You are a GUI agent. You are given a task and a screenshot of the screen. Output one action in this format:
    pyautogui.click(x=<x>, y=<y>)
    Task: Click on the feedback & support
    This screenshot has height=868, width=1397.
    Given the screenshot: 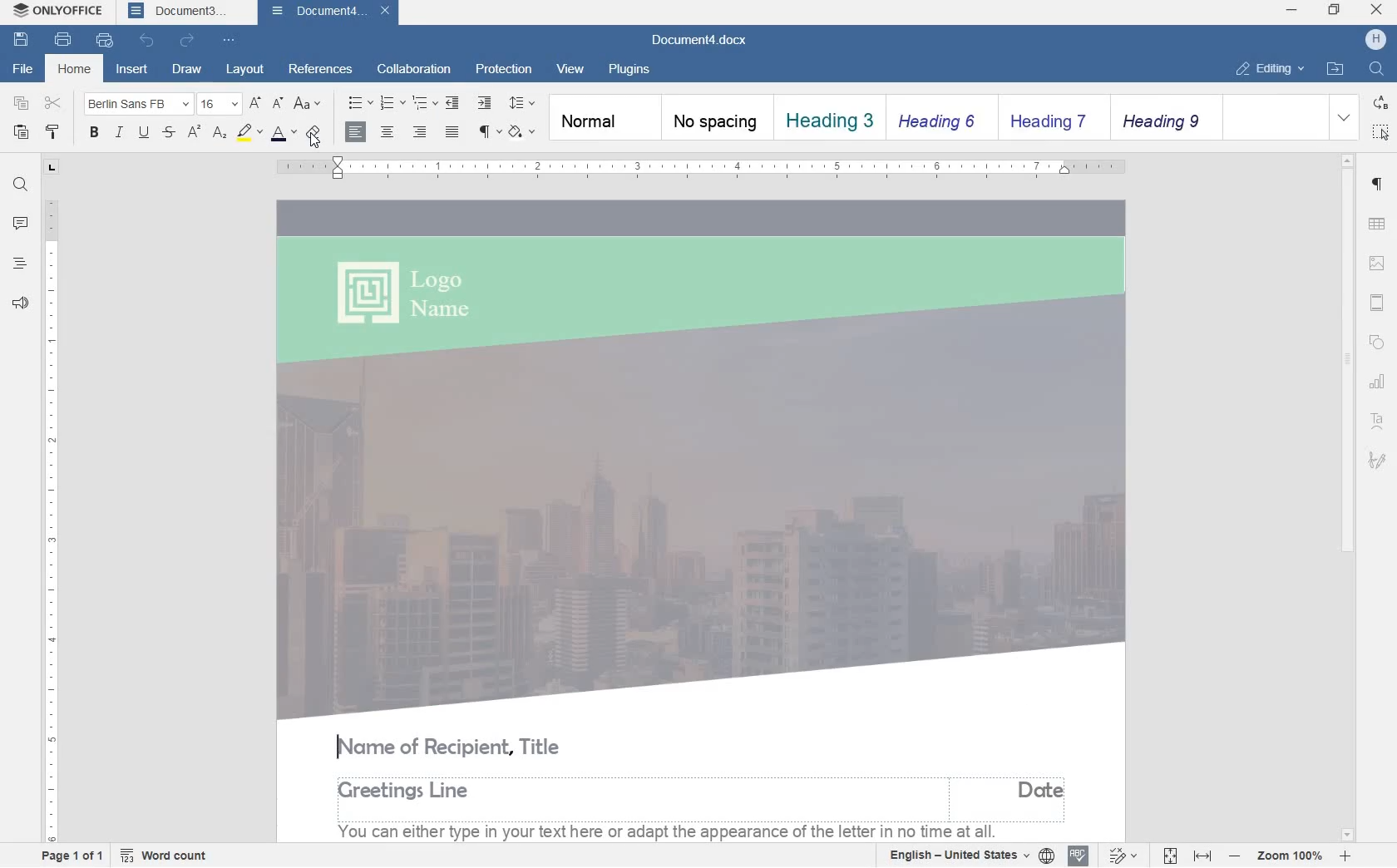 What is the action you would take?
    pyautogui.click(x=20, y=301)
    